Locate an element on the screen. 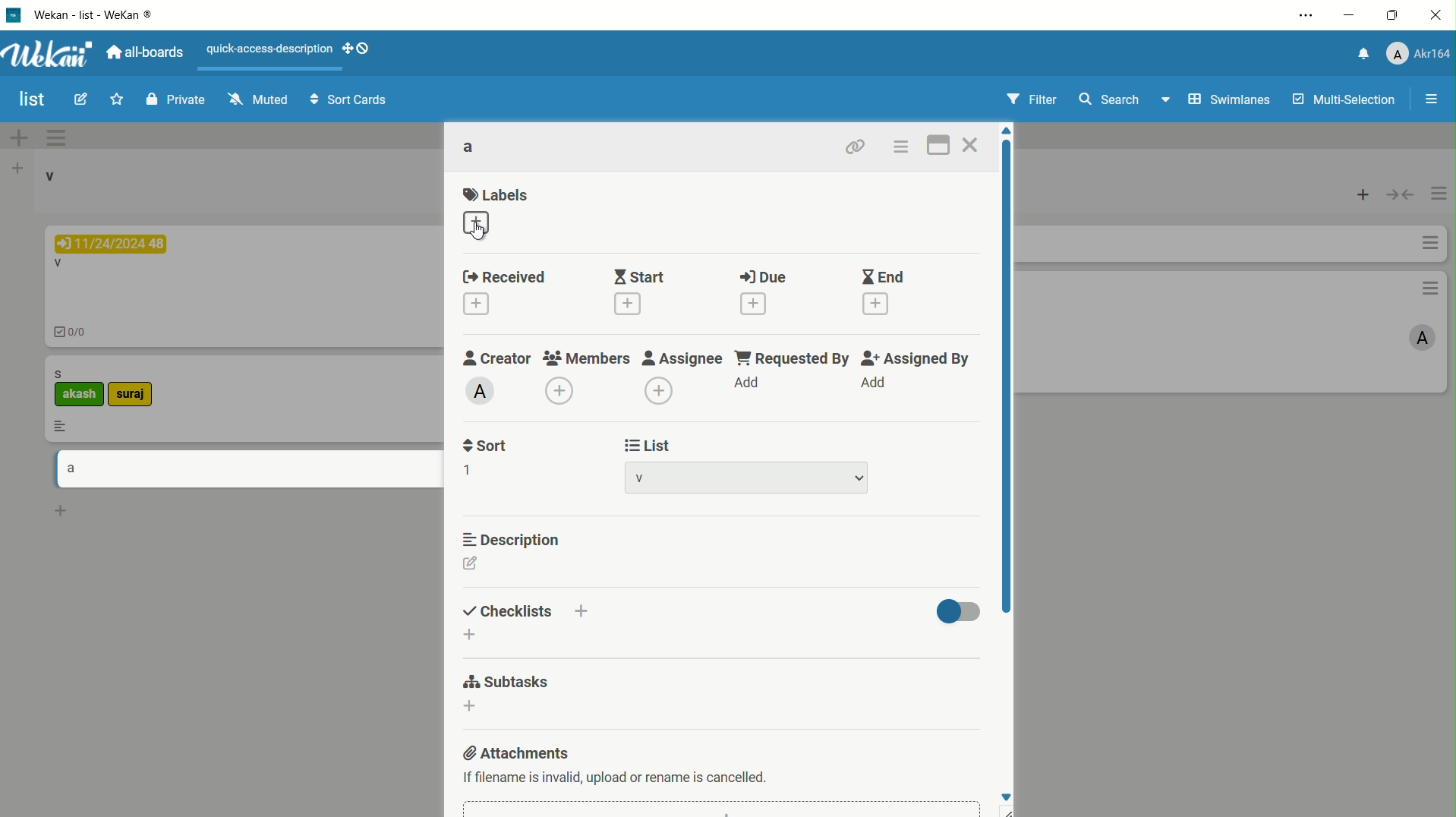  maximize is located at coordinates (1395, 18).